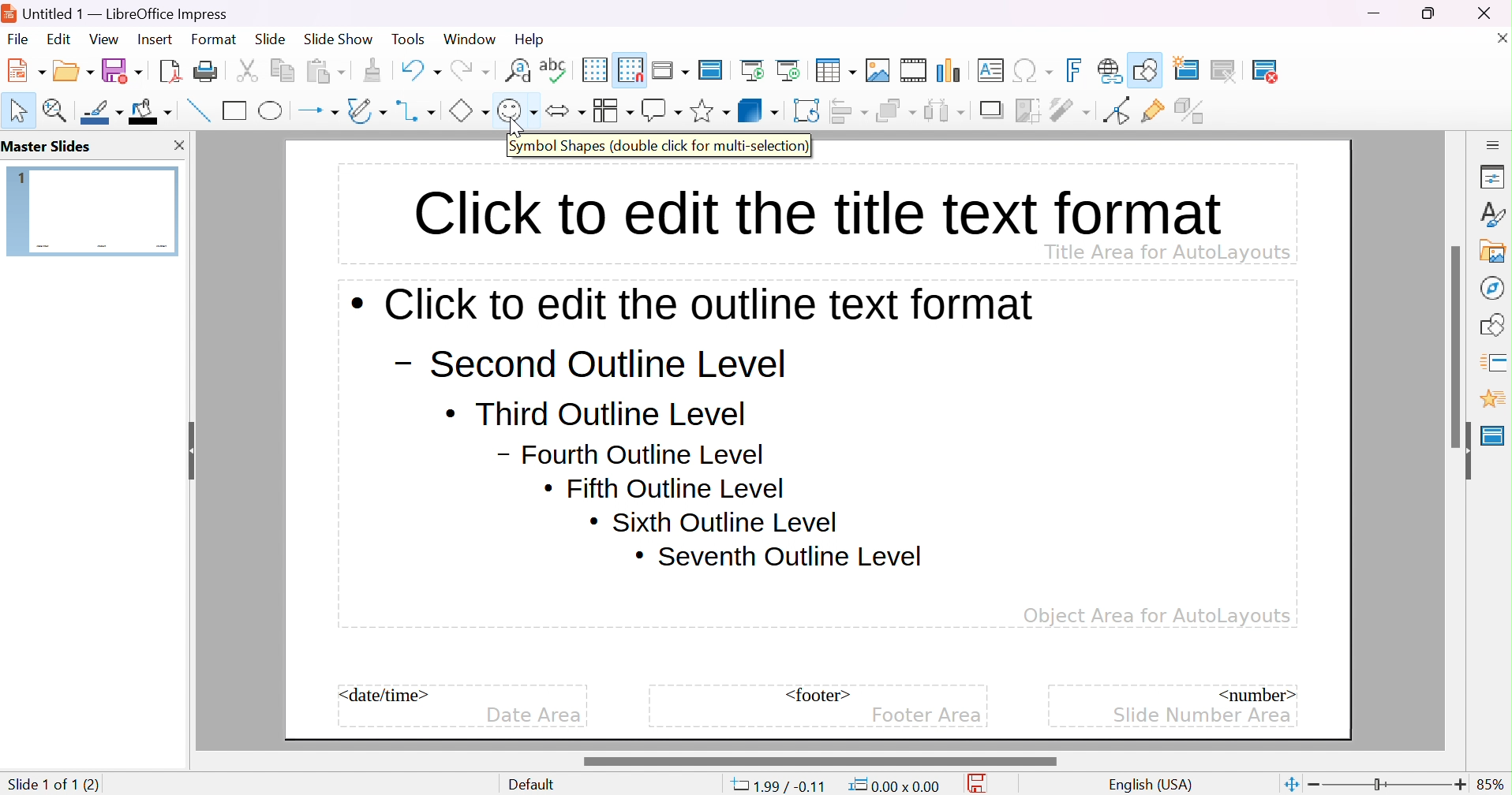 The width and height of the screenshot is (1512, 795). What do you see at coordinates (565, 110) in the screenshot?
I see `block arrows` at bounding box center [565, 110].